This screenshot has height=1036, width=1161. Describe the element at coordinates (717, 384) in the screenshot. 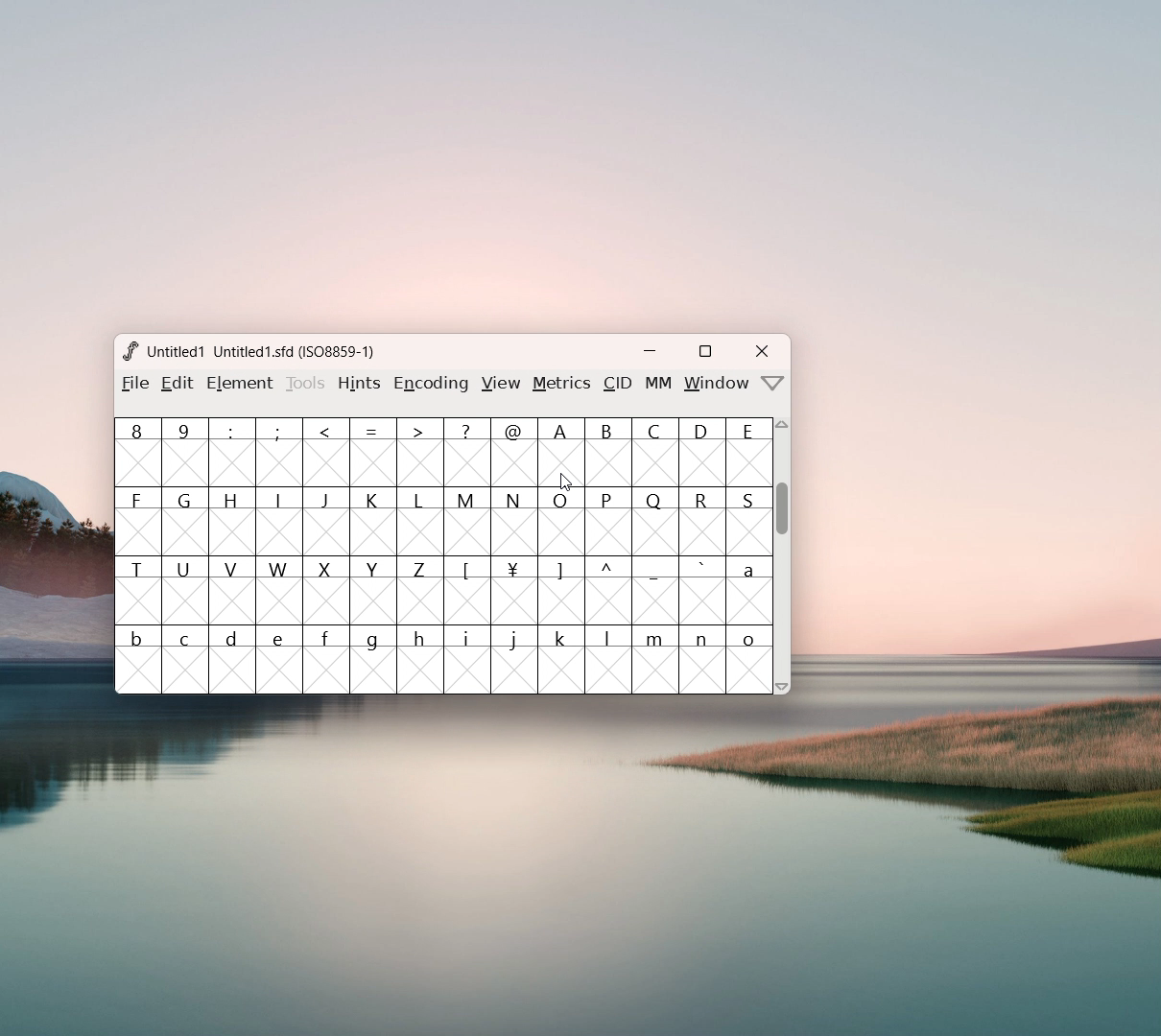

I see `window` at that location.